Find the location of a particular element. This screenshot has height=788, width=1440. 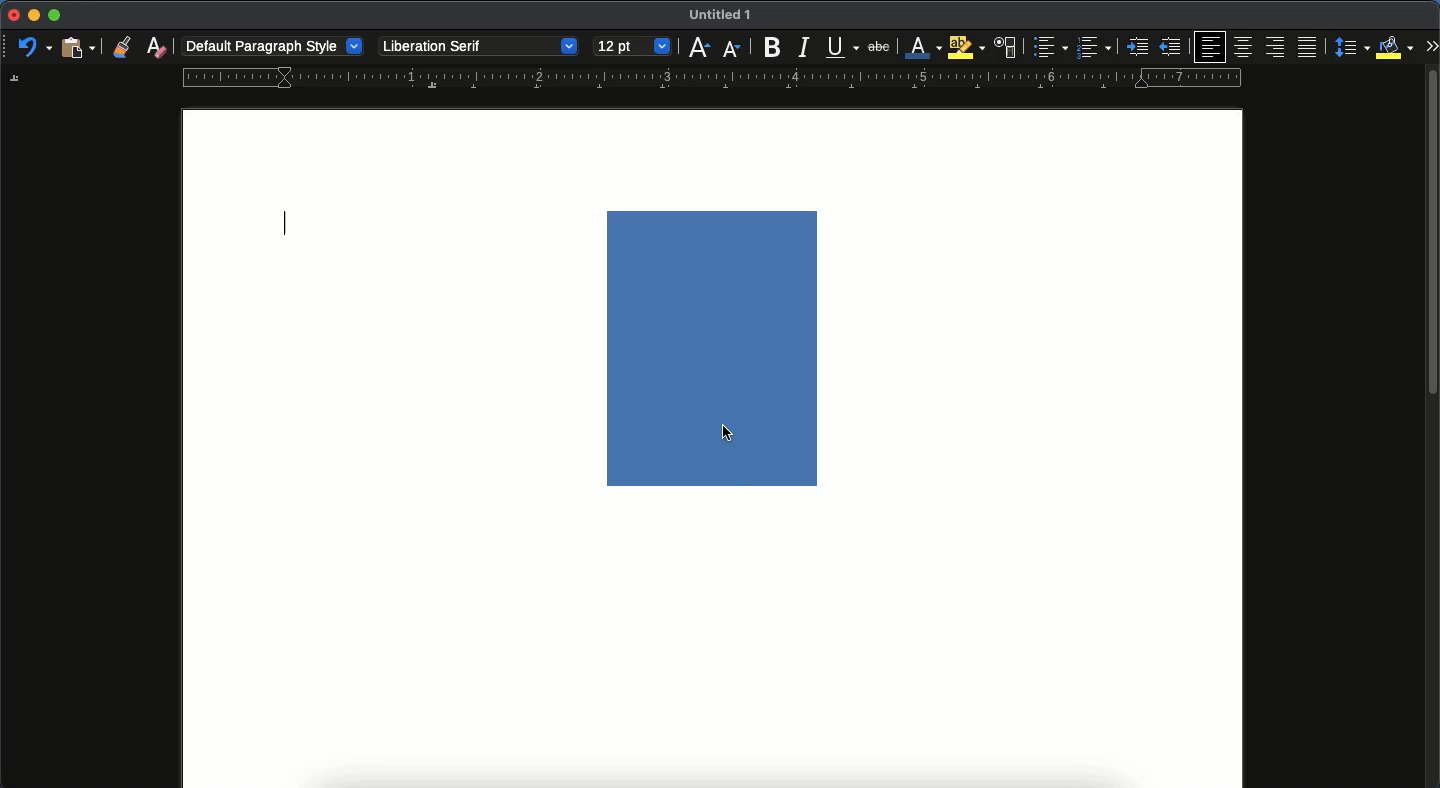

clear formatting is located at coordinates (155, 46).